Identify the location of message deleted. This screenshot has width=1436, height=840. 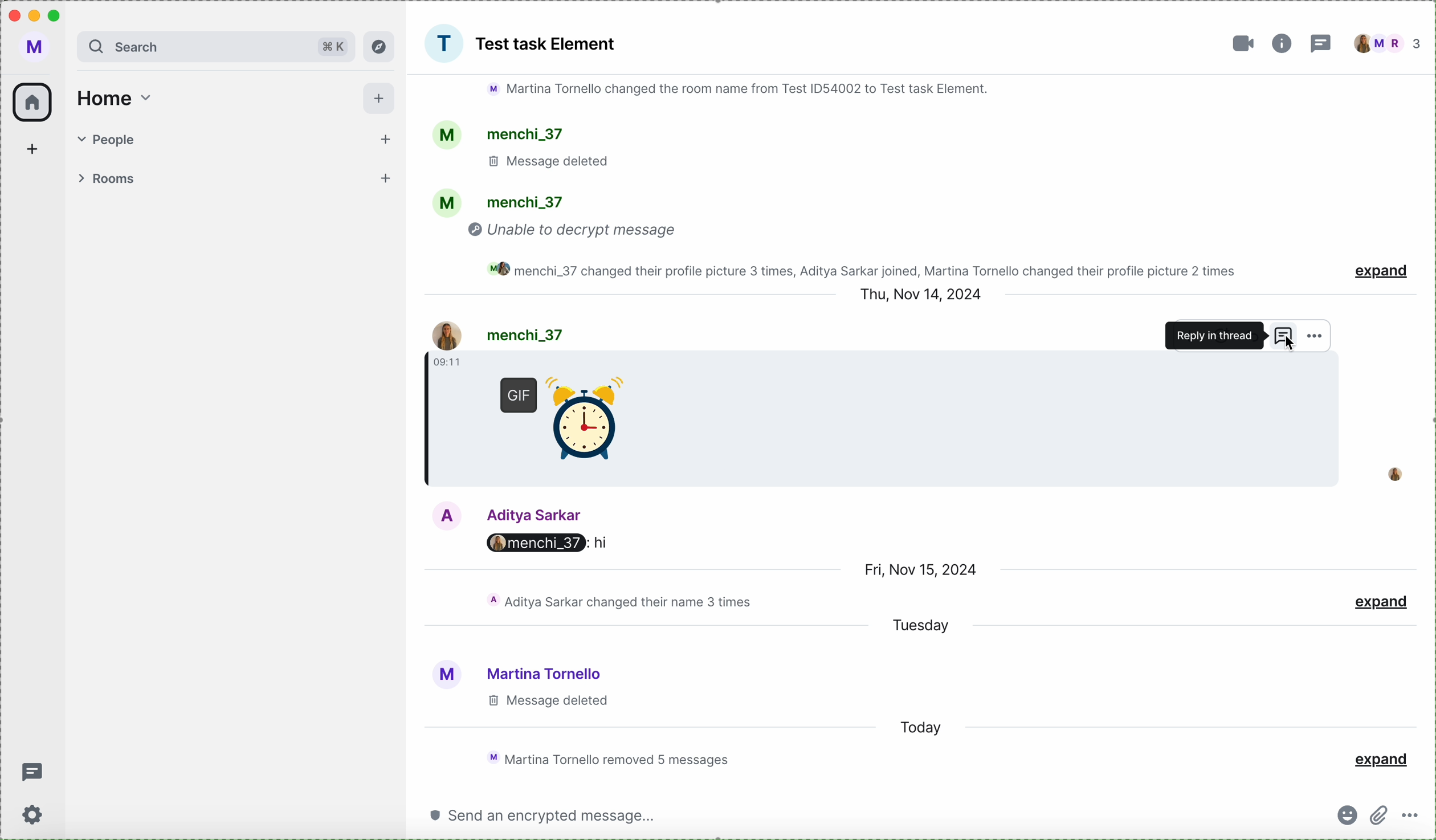
(545, 702).